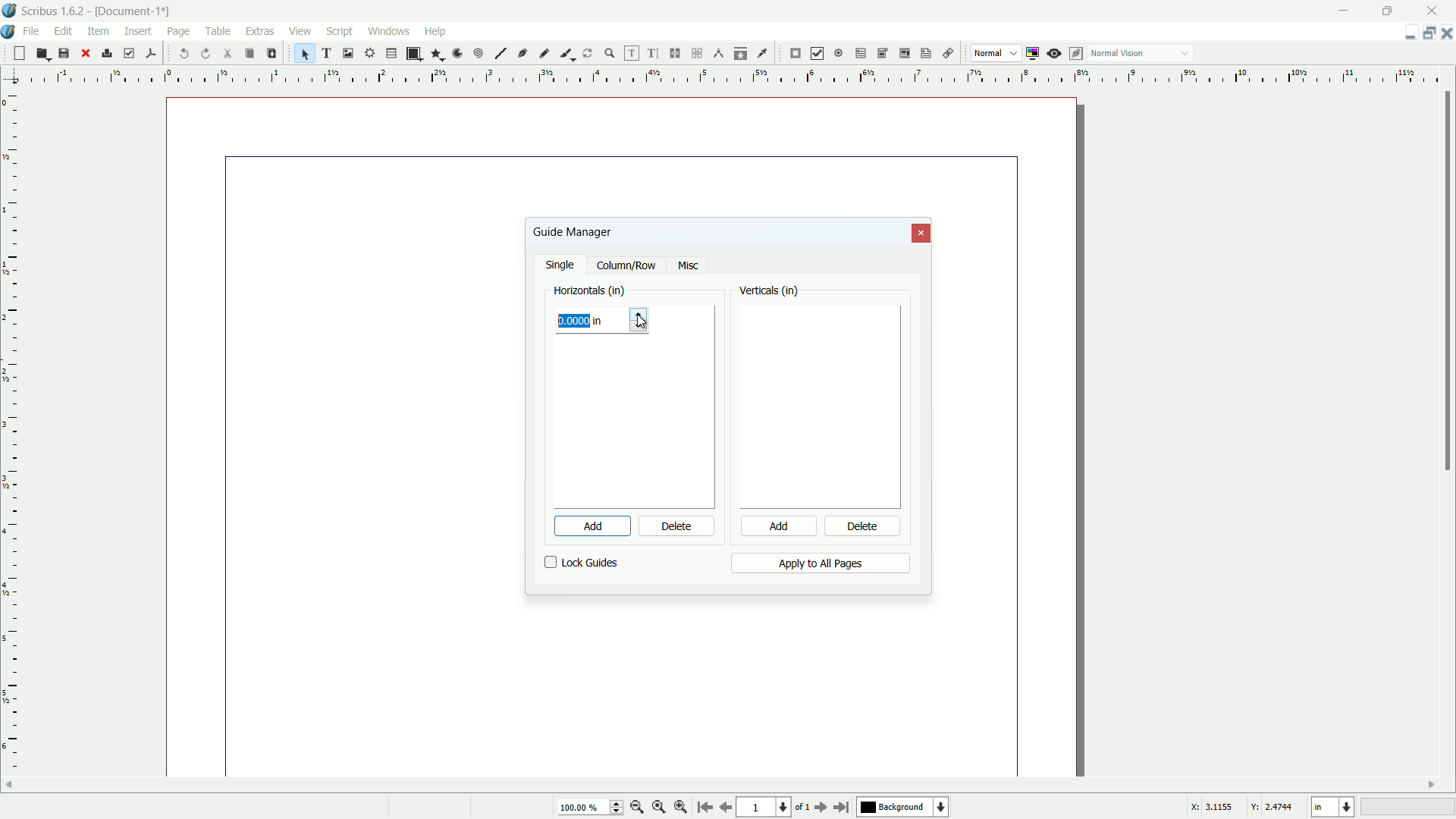  Describe the element at coordinates (699, 53) in the screenshot. I see `unlink text frames` at that location.